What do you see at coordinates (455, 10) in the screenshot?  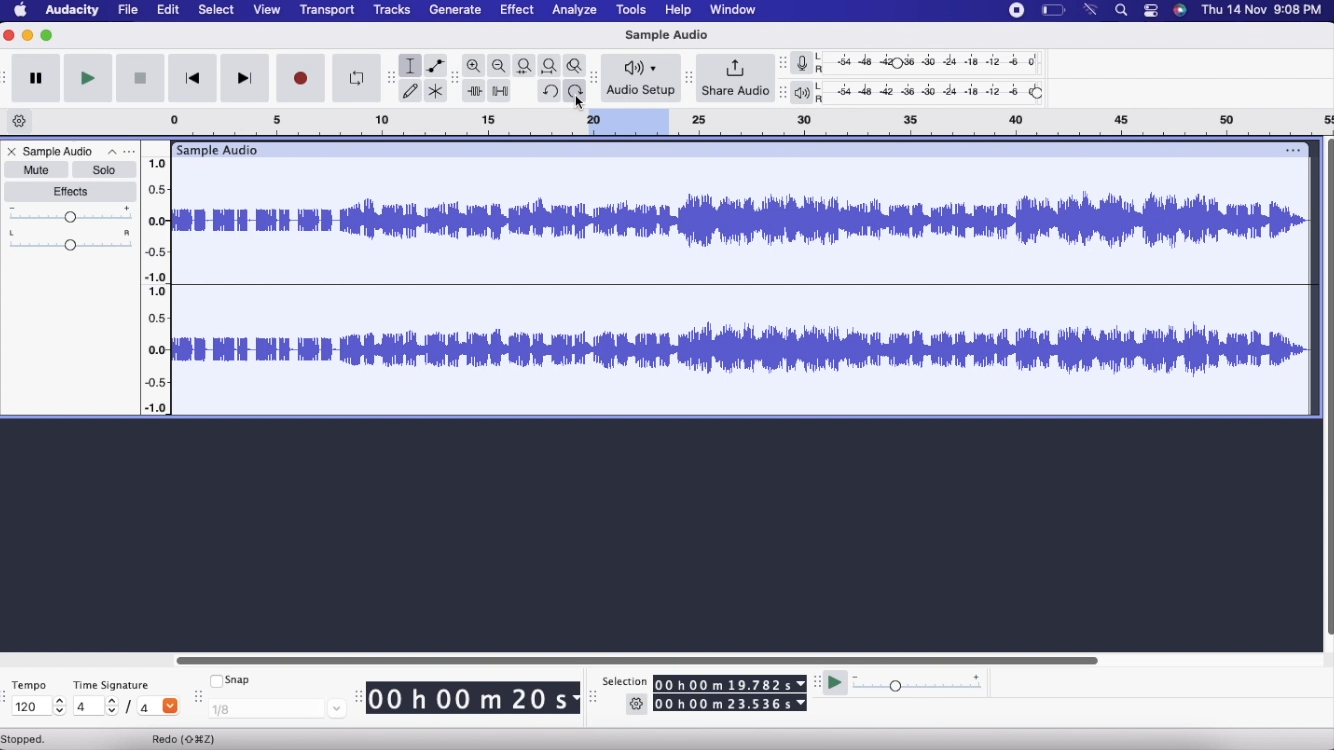 I see `Generate` at bounding box center [455, 10].